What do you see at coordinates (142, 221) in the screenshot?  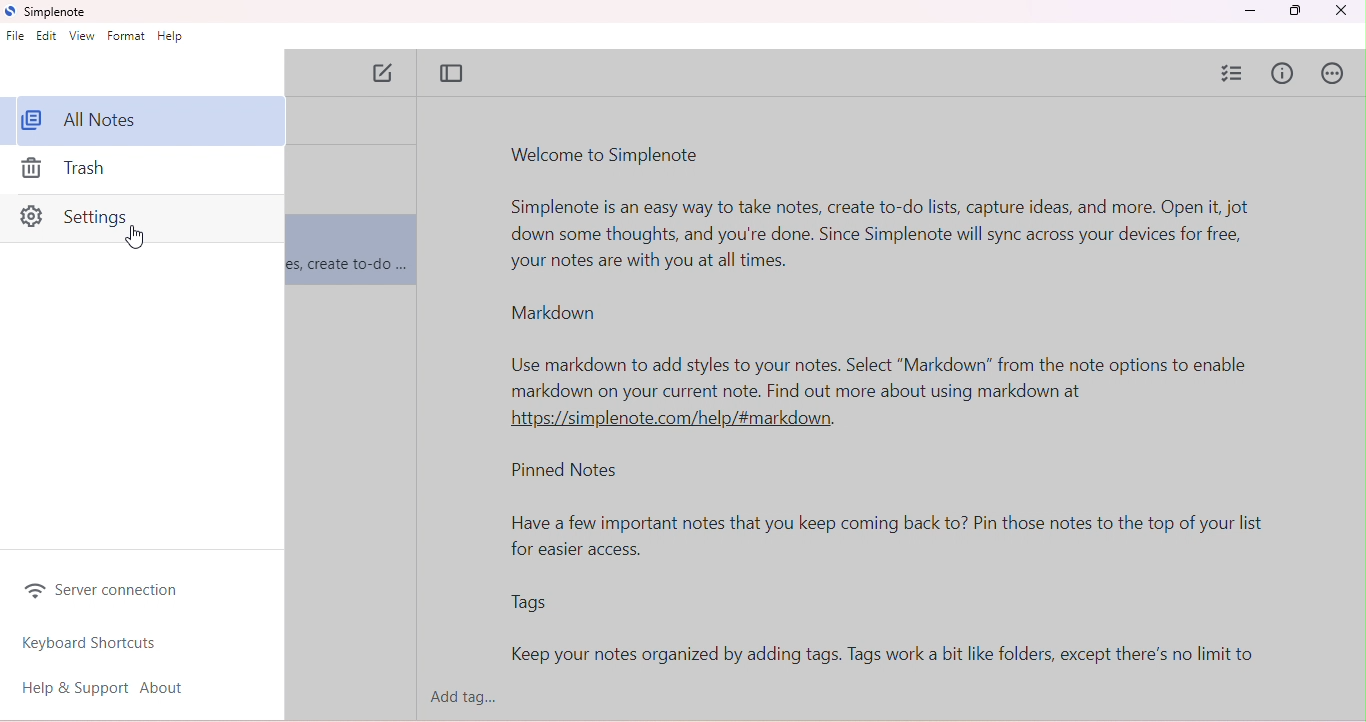 I see `settings` at bounding box center [142, 221].